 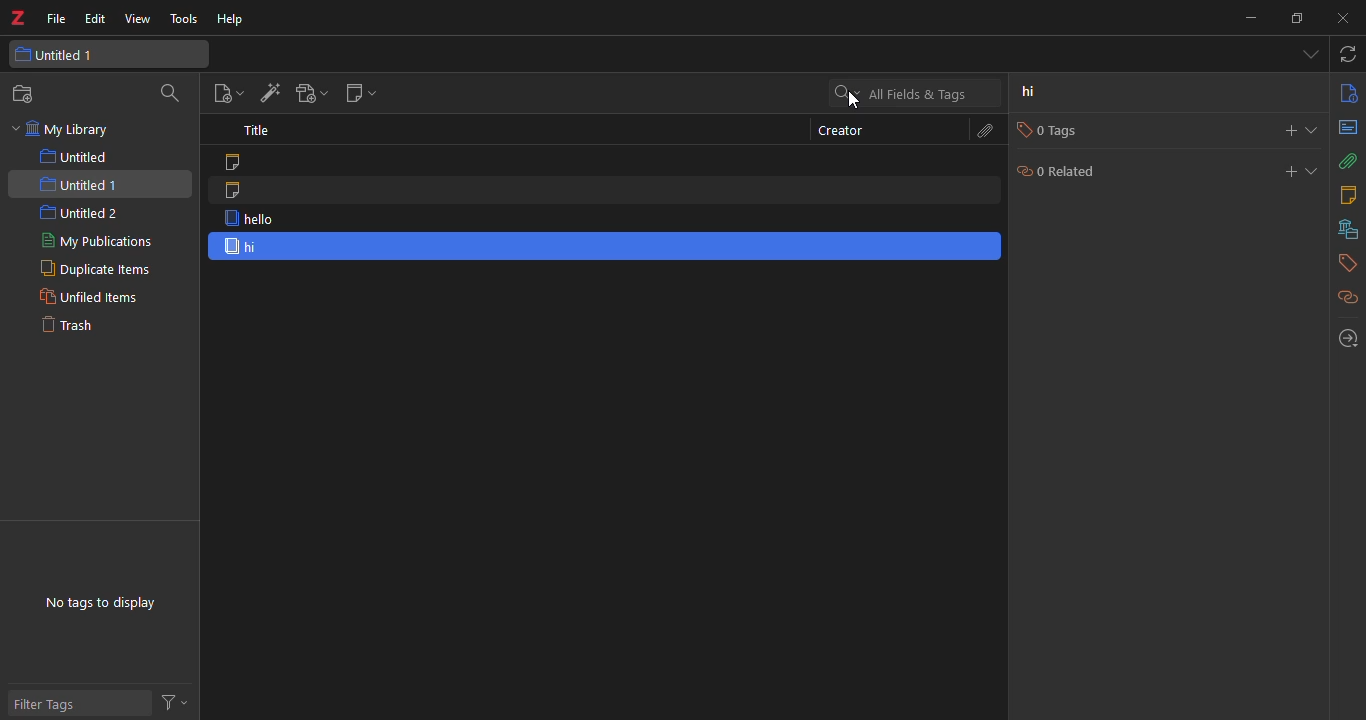 What do you see at coordinates (74, 155) in the screenshot?
I see `untitled` at bounding box center [74, 155].